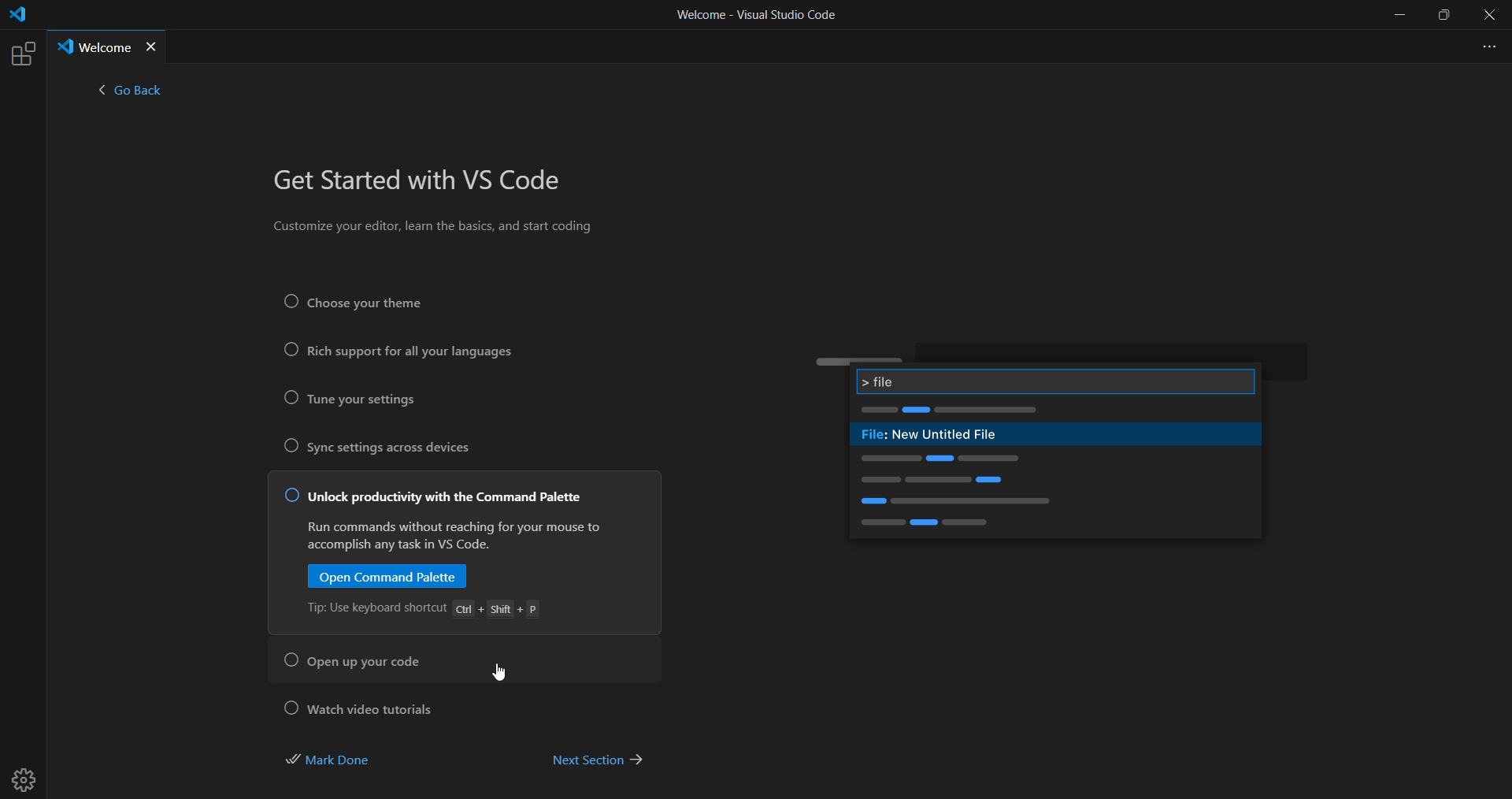 This screenshot has height=799, width=1512. Describe the element at coordinates (1052, 496) in the screenshot. I see `sample` at that location.